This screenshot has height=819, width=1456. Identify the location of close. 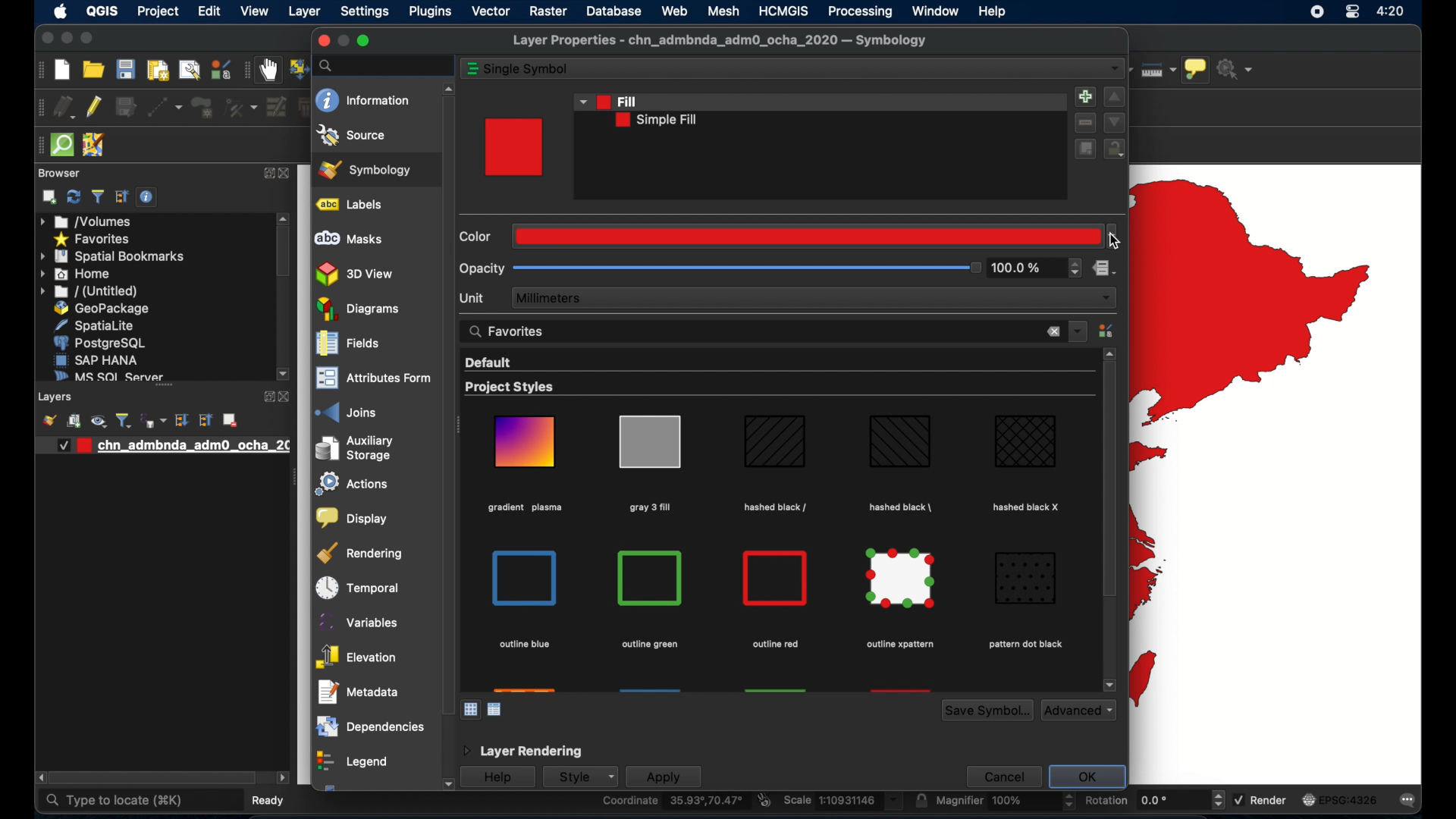
(287, 397).